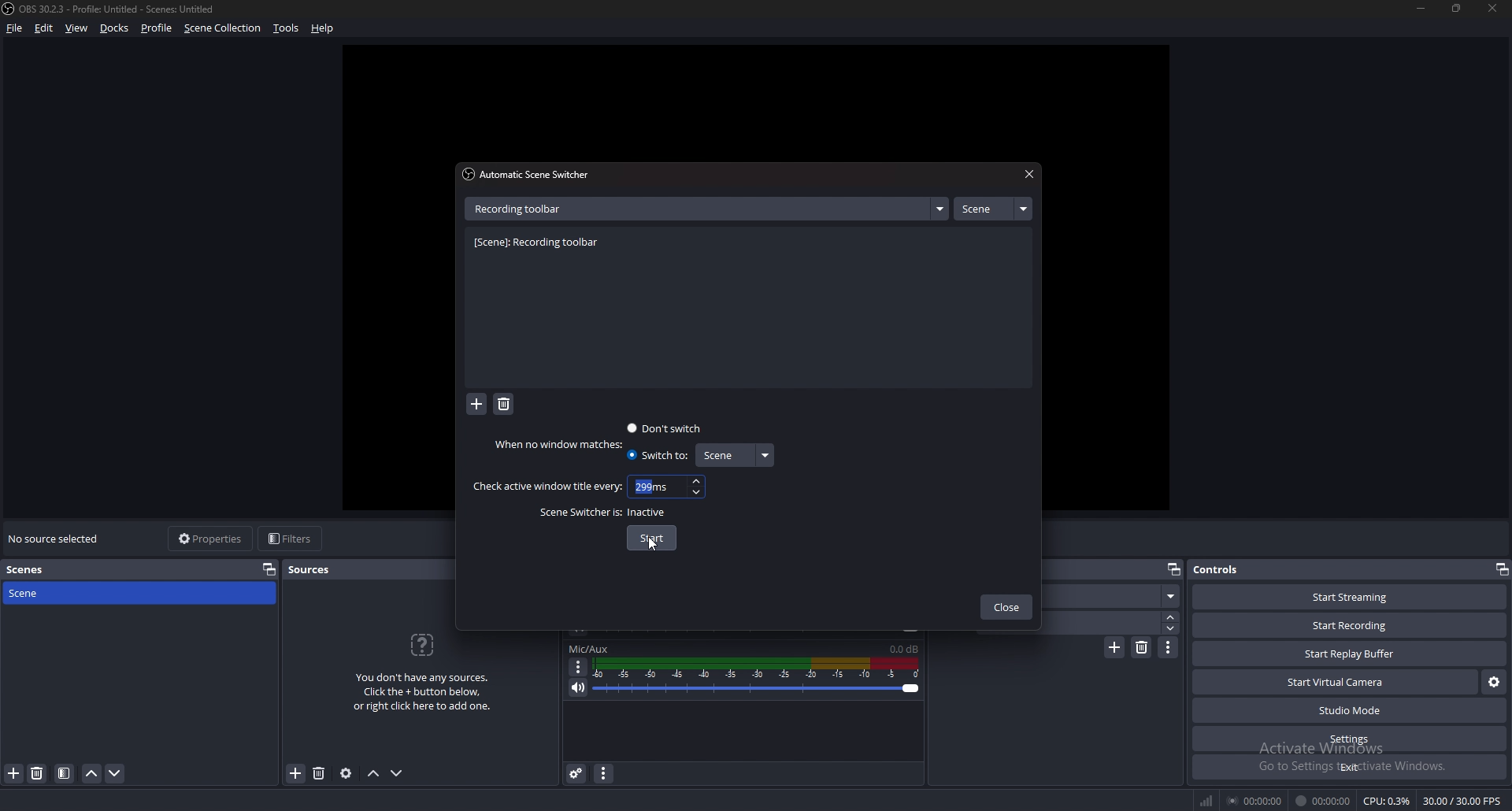  Describe the element at coordinates (115, 28) in the screenshot. I see `docks` at that location.